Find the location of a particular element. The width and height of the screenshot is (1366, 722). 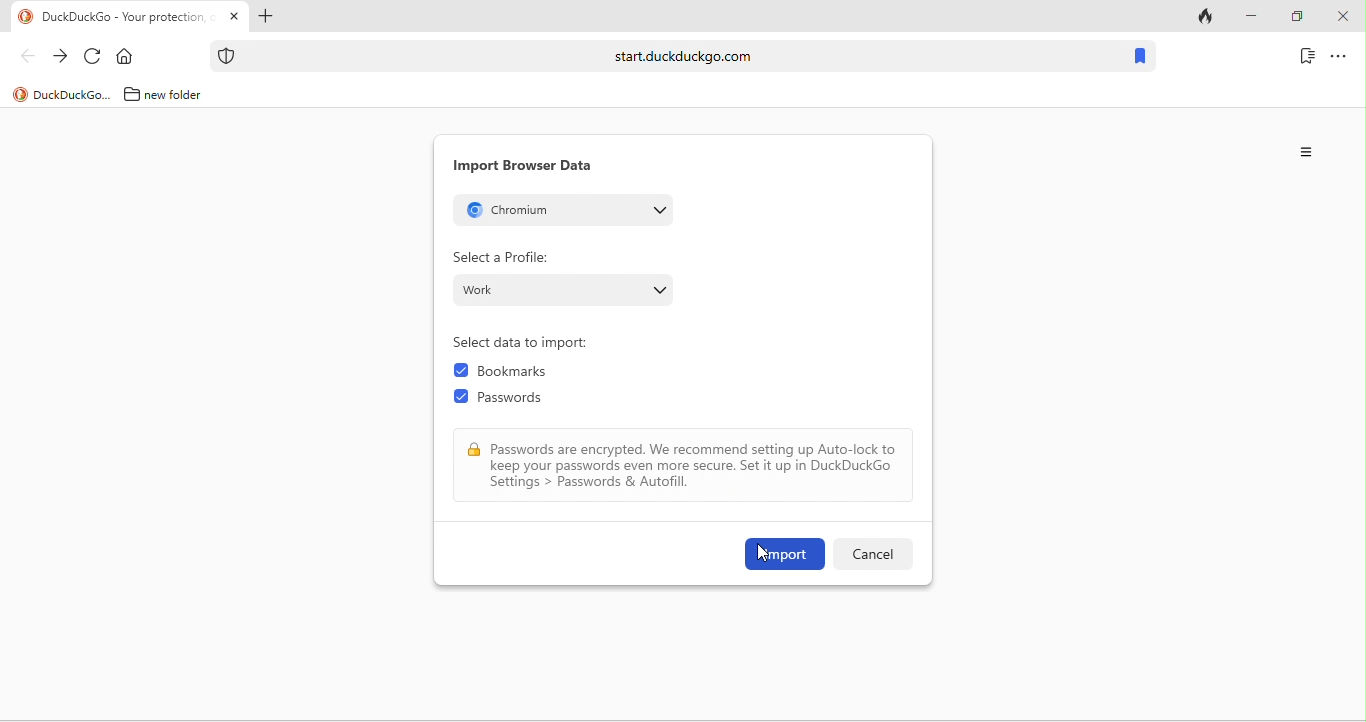

cursor is located at coordinates (763, 555).